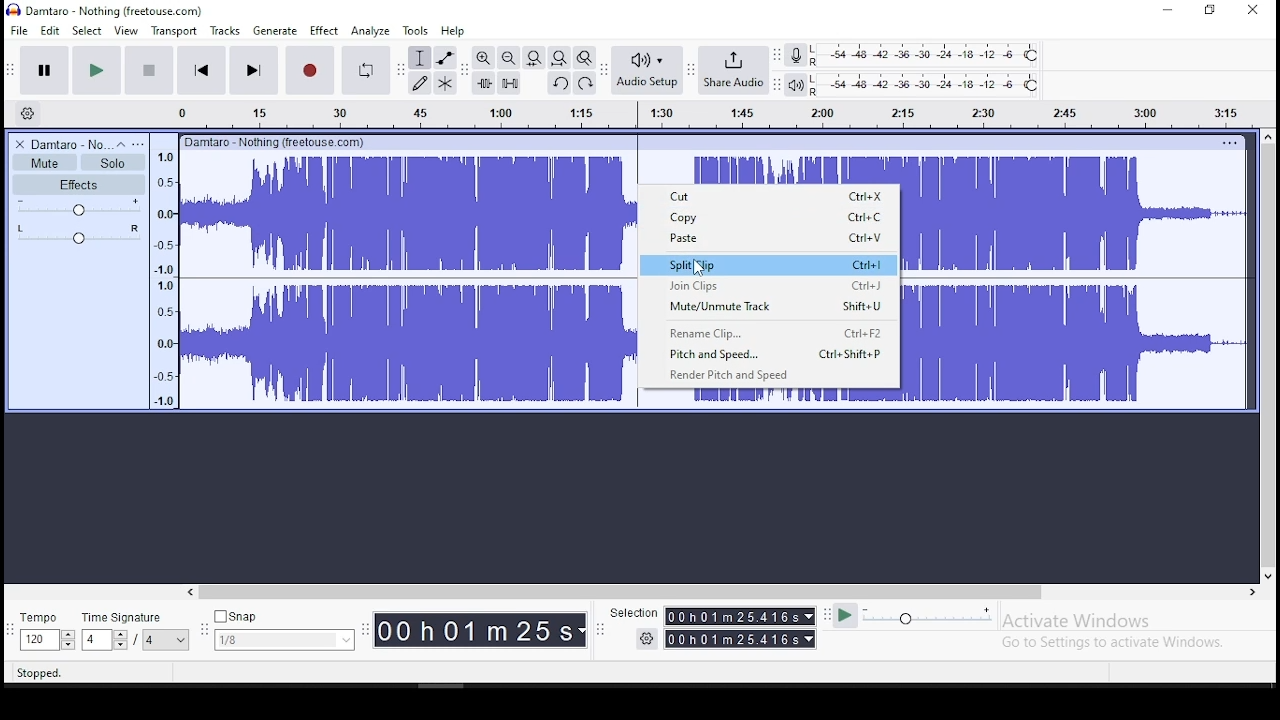 Image resolution: width=1280 pixels, height=720 pixels. Describe the element at coordinates (235, 616) in the screenshot. I see `snap button` at that location.